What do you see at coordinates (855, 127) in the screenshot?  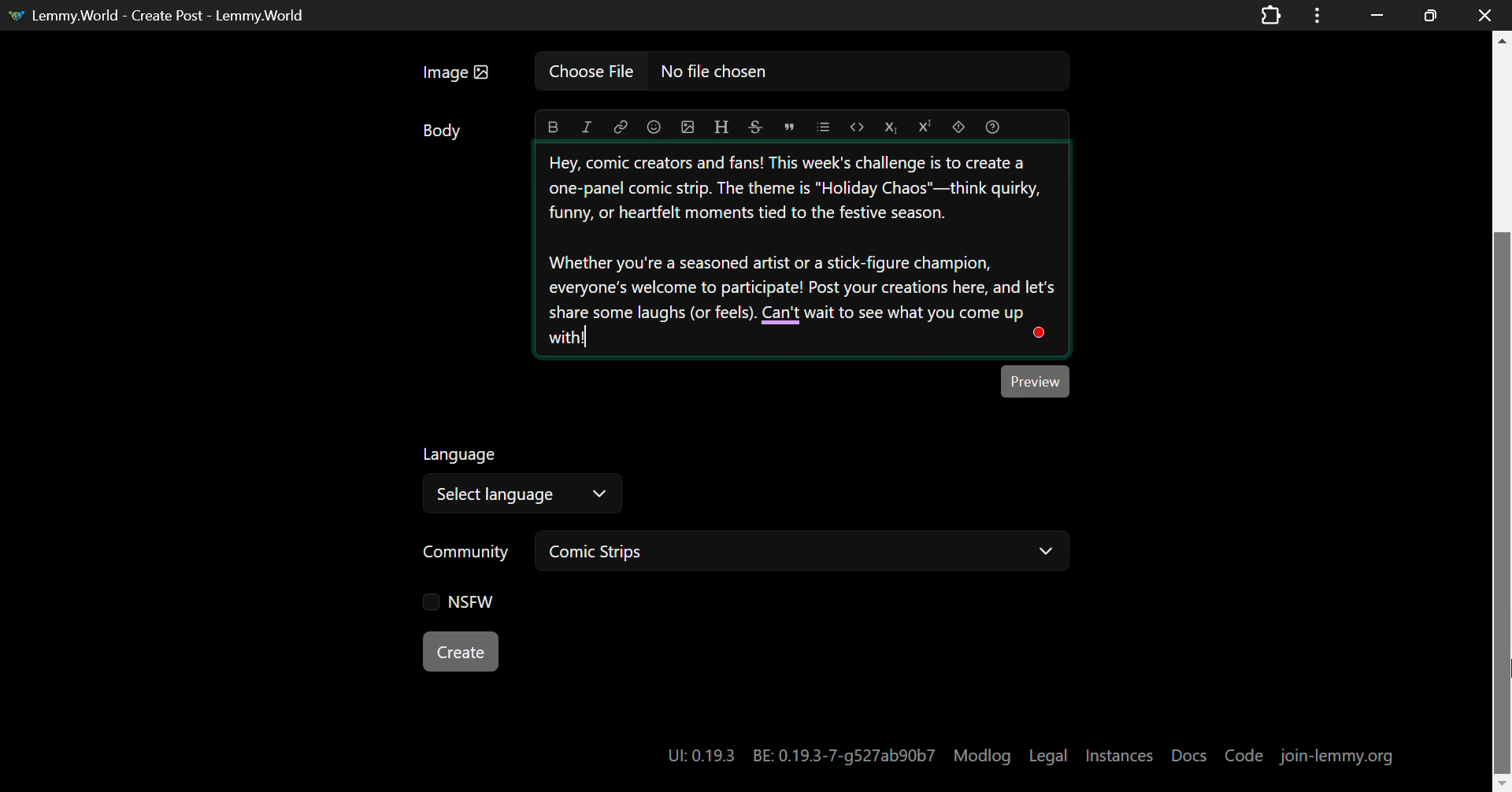 I see `Code` at bounding box center [855, 127].